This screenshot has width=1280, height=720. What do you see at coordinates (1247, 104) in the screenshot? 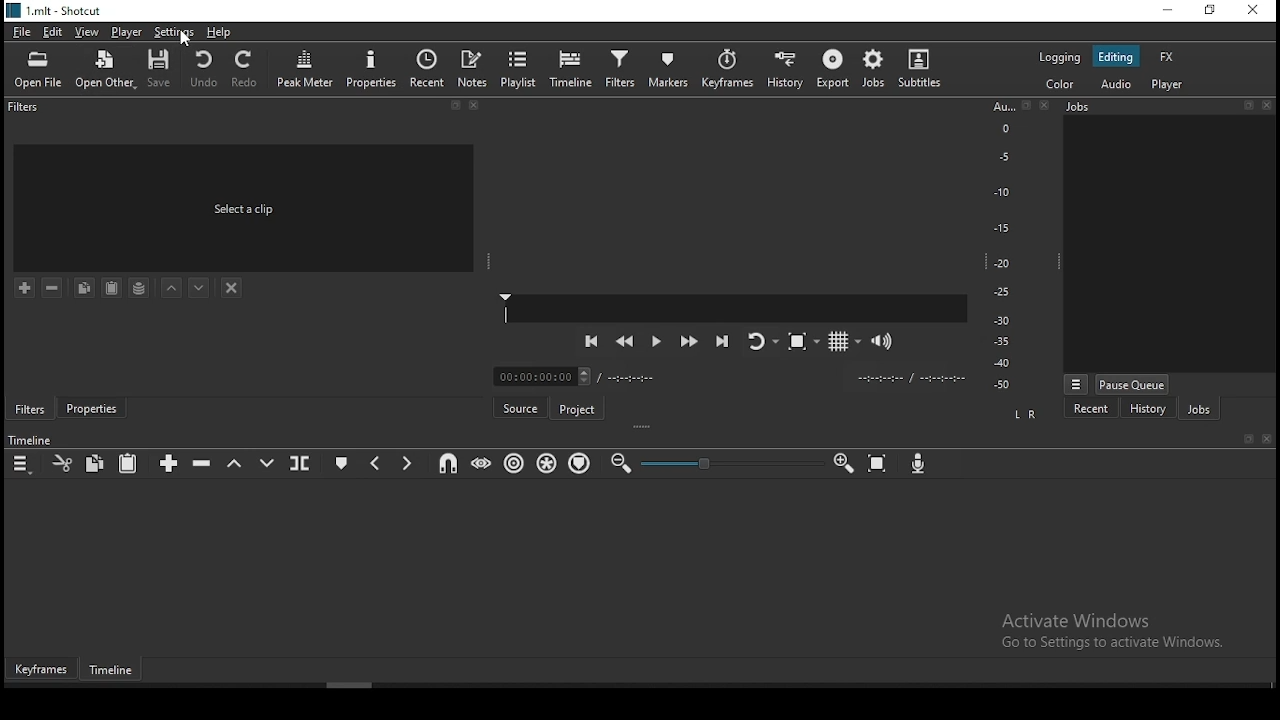
I see `Bookmark` at bounding box center [1247, 104].